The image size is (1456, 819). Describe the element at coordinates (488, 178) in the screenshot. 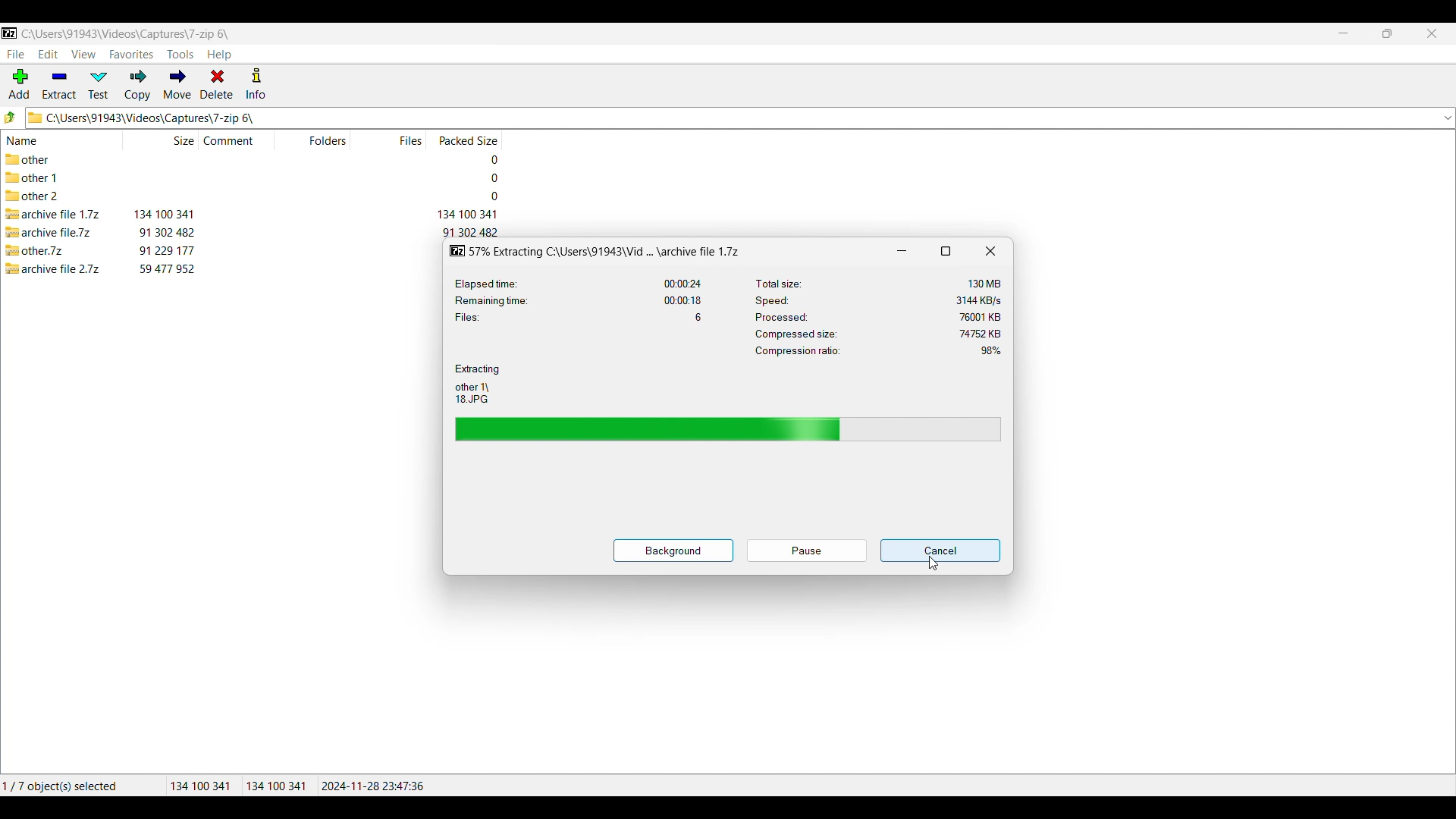

I see `packed size` at that location.